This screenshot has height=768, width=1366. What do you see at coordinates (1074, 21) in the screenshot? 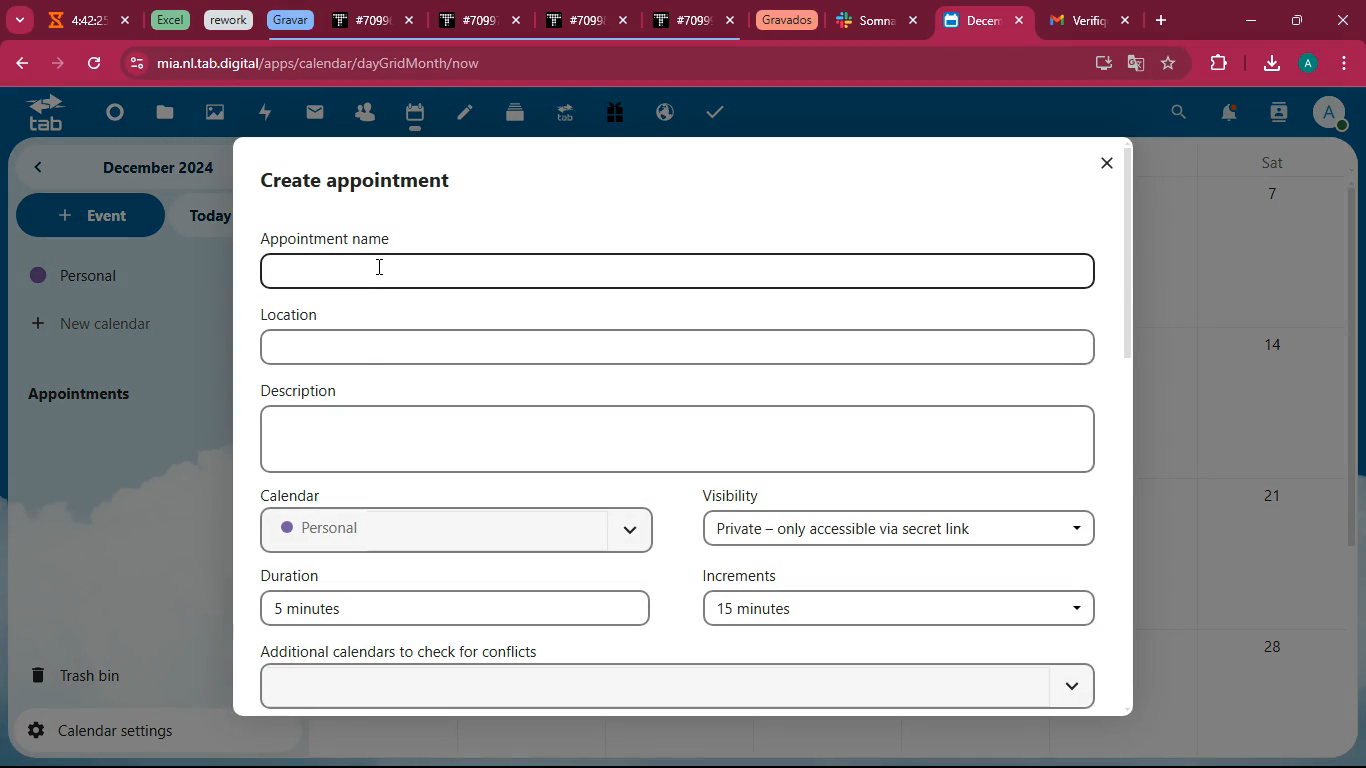
I see `tab` at bounding box center [1074, 21].